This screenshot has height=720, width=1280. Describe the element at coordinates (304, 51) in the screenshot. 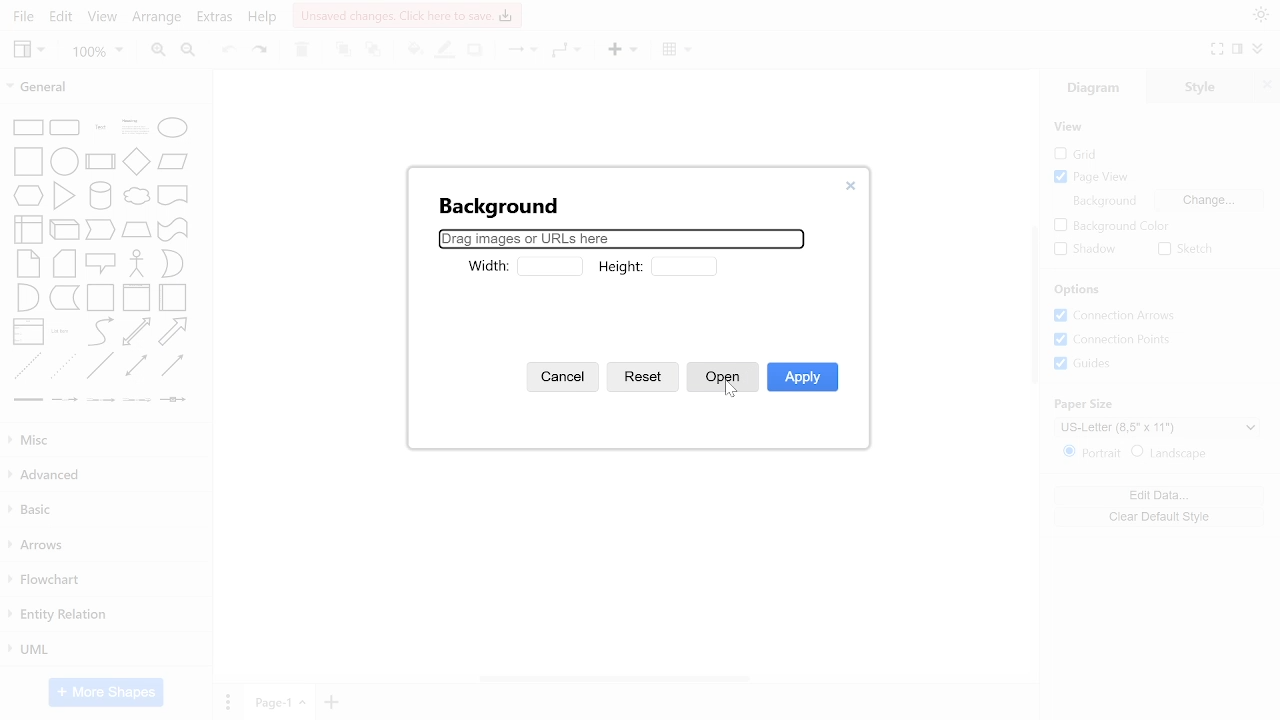

I see `delete` at that location.